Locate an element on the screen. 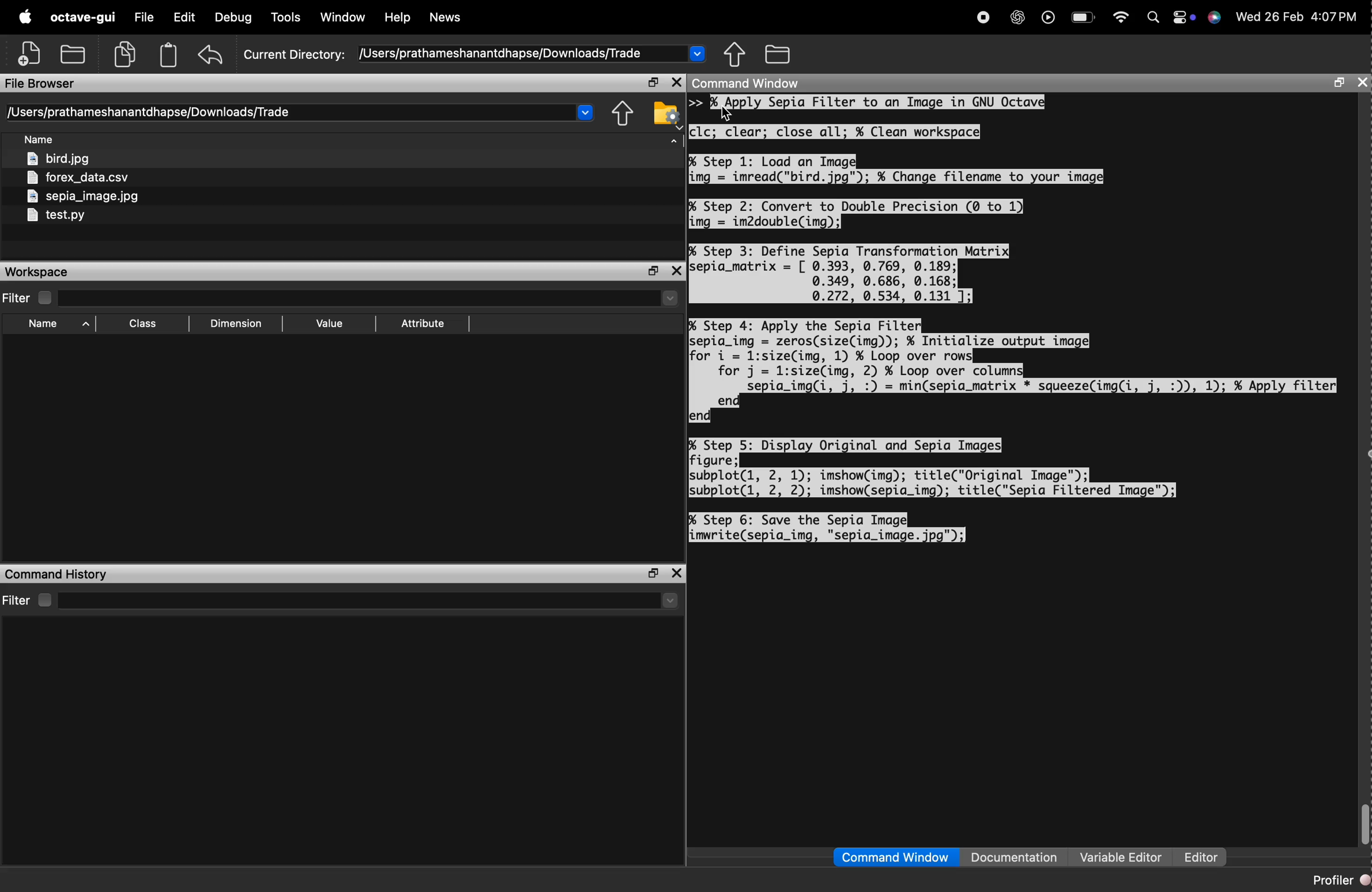  Attribute is located at coordinates (424, 324).